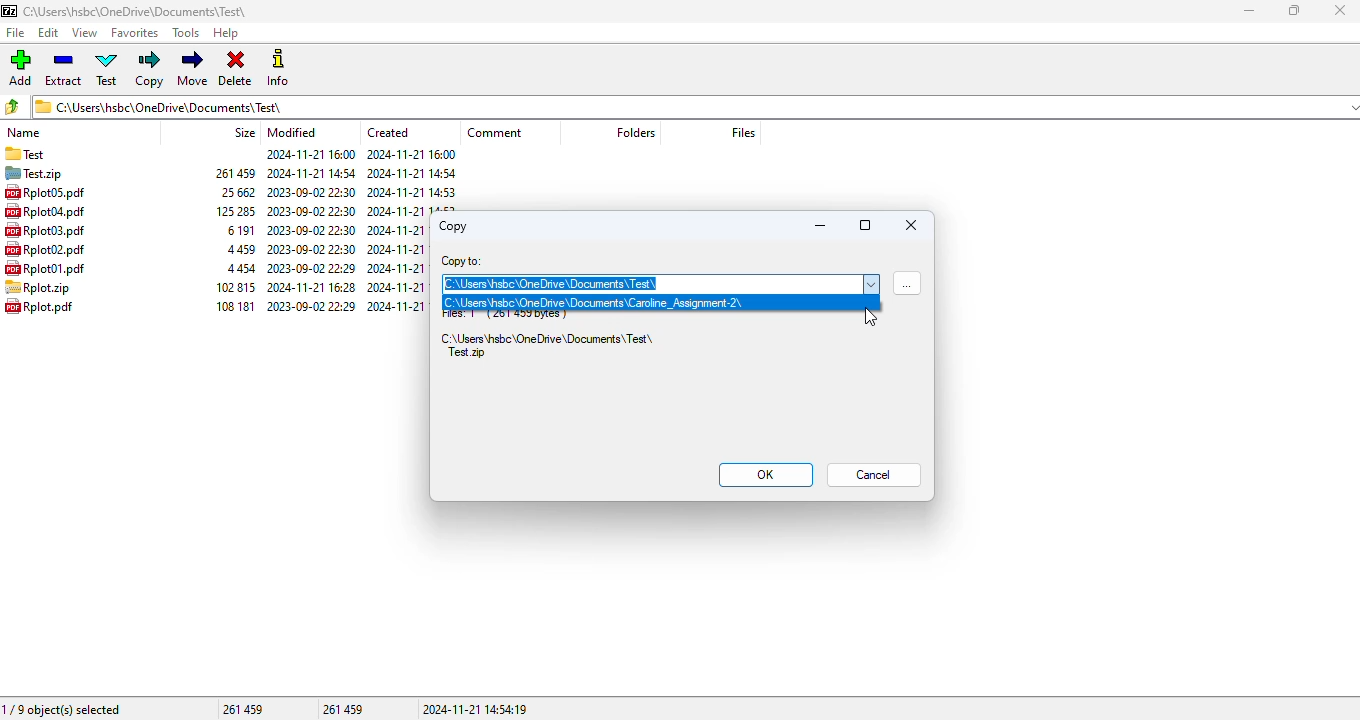 The width and height of the screenshot is (1360, 720). What do you see at coordinates (184, 33) in the screenshot?
I see `tools` at bounding box center [184, 33].